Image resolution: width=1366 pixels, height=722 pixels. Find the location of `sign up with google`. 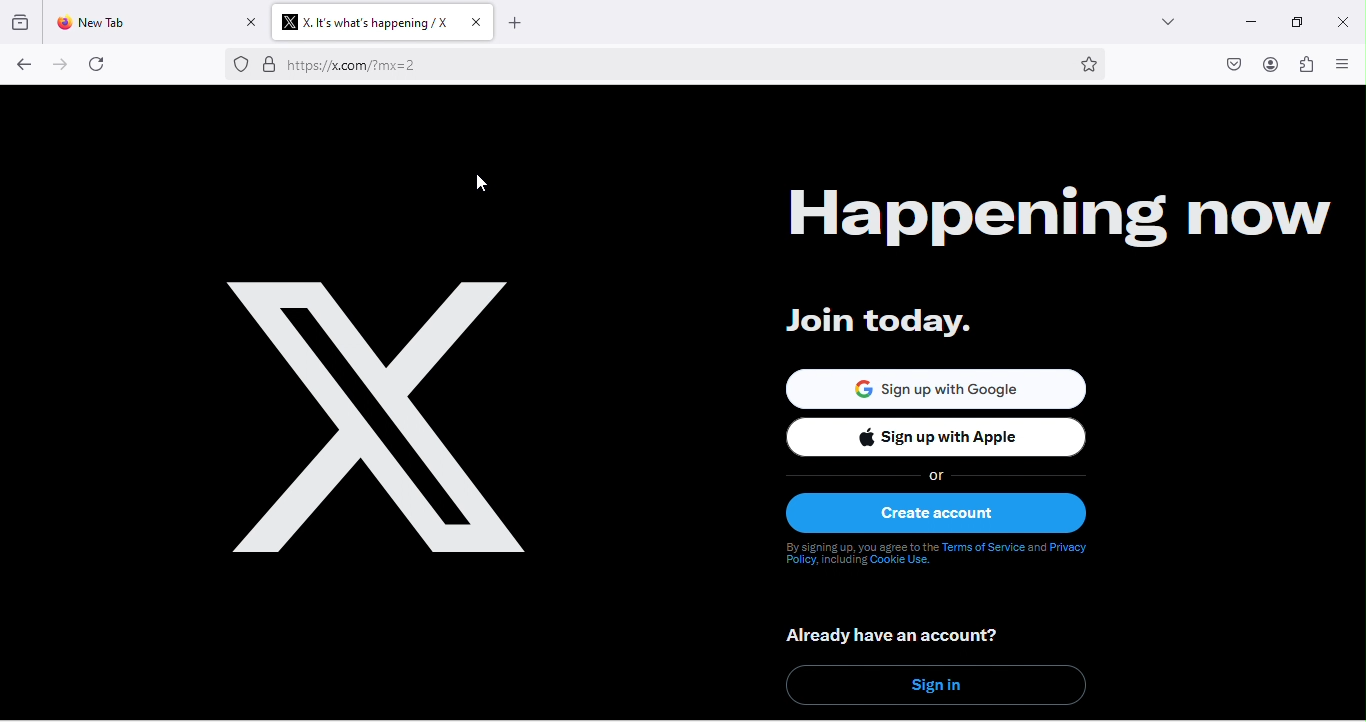

sign up with google is located at coordinates (935, 384).